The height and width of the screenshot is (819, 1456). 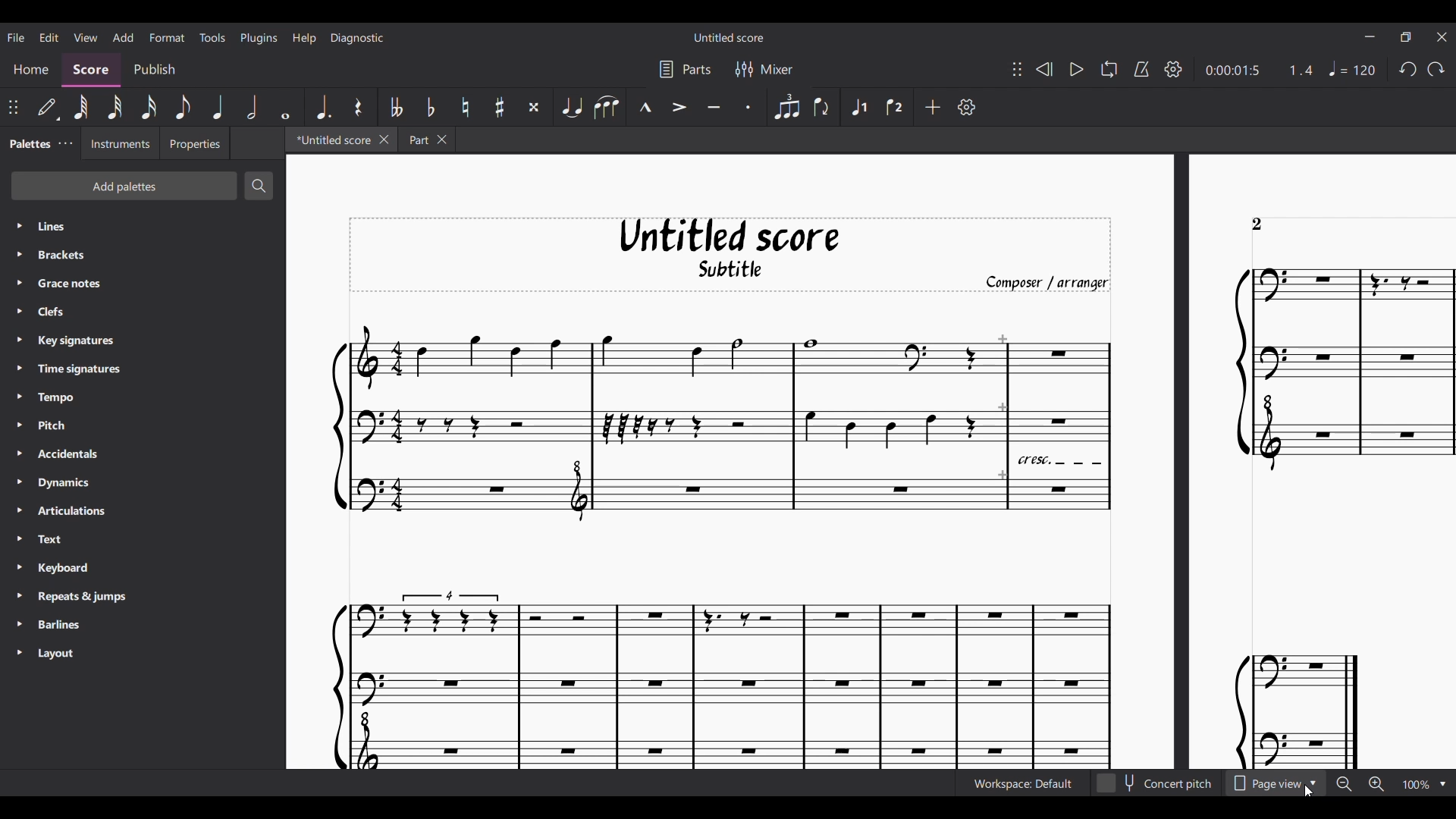 What do you see at coordinates (1257, 224) in the screenshot?
I see `Indicates page number` at bounding box center [1257, 224].